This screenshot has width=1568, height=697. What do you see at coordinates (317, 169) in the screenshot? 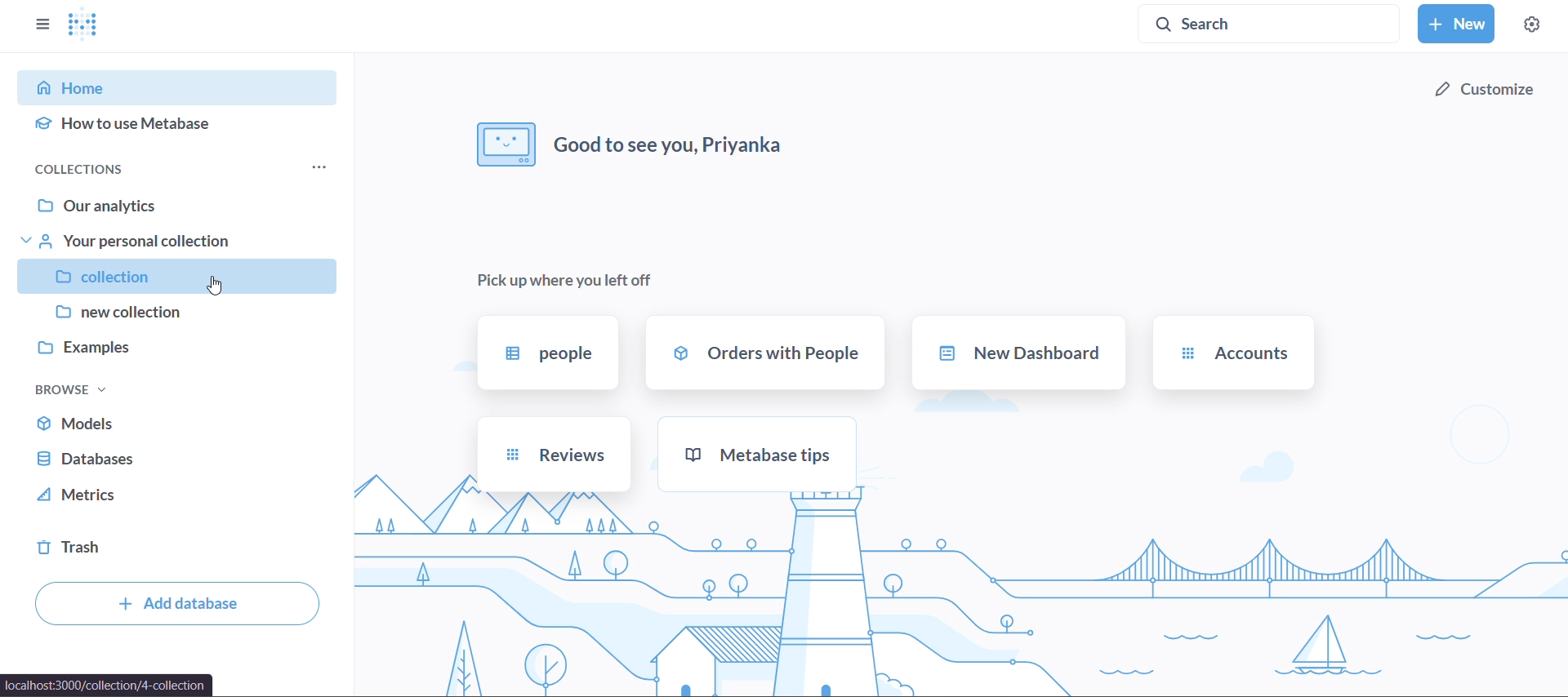
I see `more` at bounding box center [317, 169].